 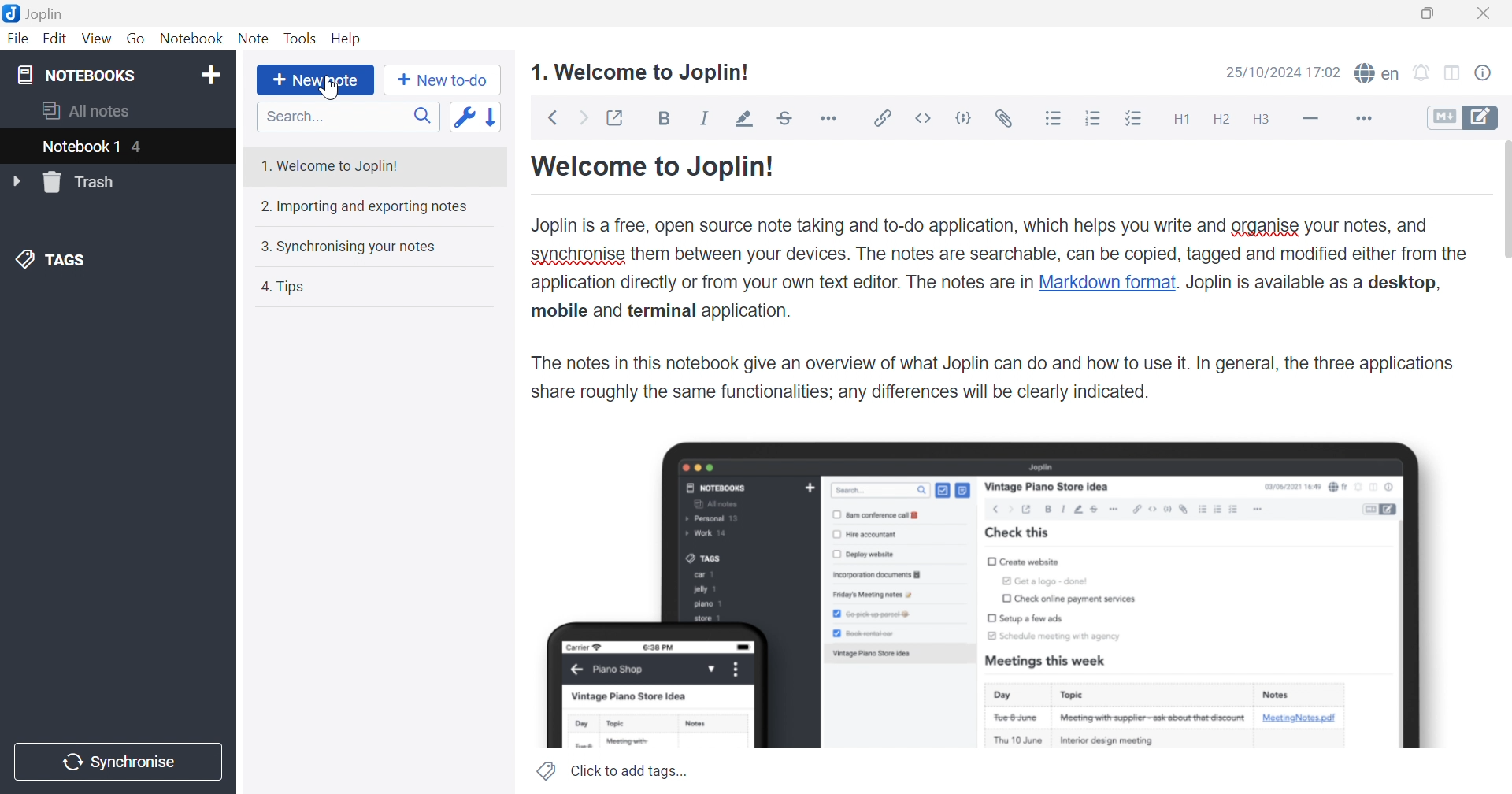 I want to click on Joplin, so click(x=35, y=16).